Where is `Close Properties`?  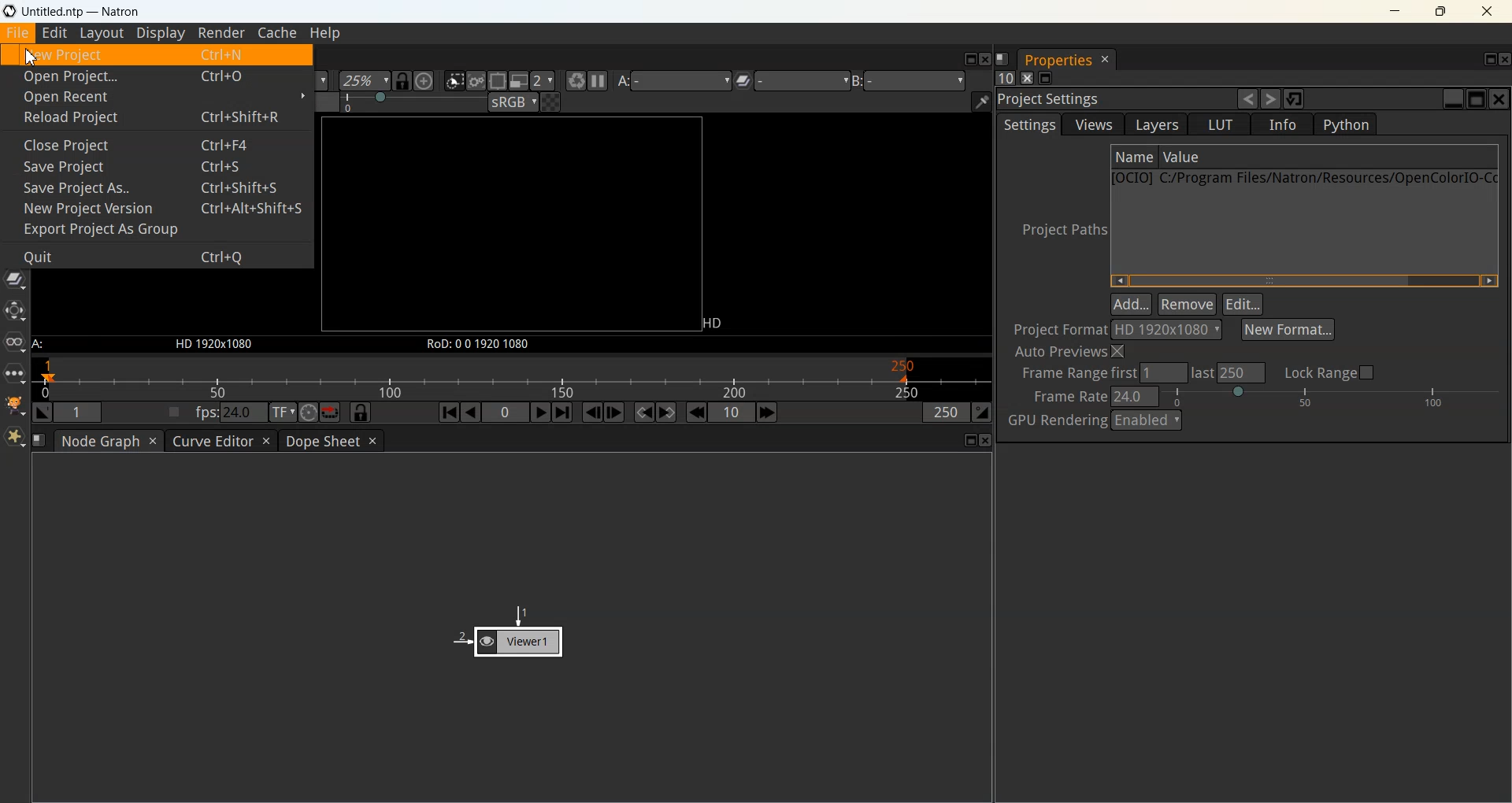
Close Properties is located at coordinates (1106, 60).